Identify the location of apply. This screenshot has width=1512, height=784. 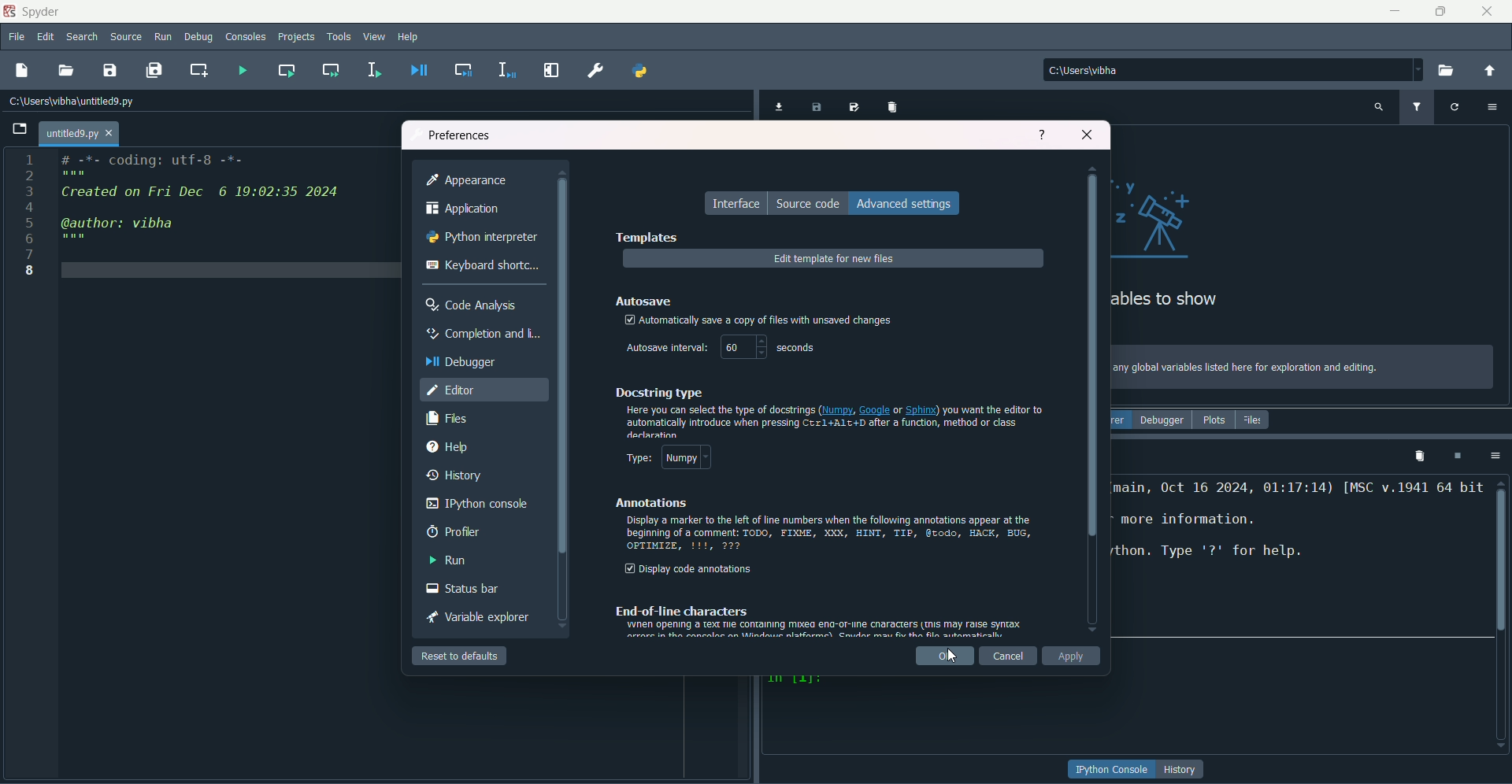
(1075, 657).